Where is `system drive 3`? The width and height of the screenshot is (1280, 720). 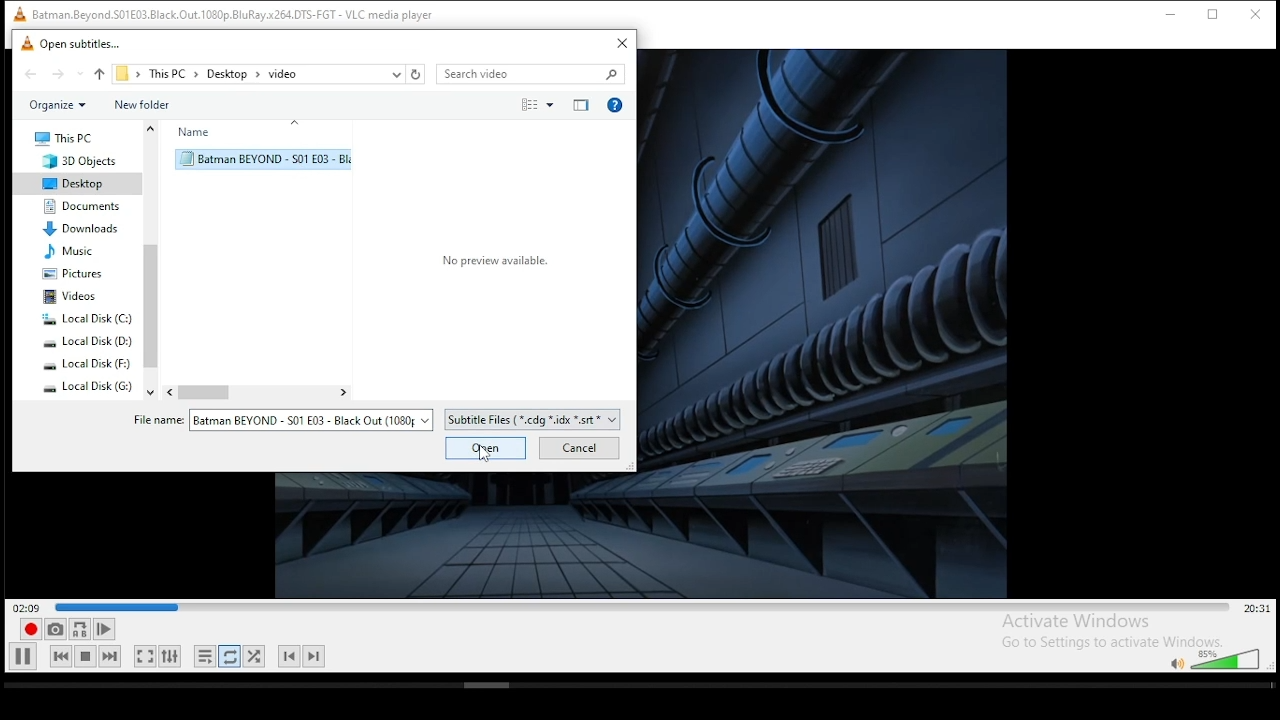
system drive 3 is located at coordinates (88, 365).